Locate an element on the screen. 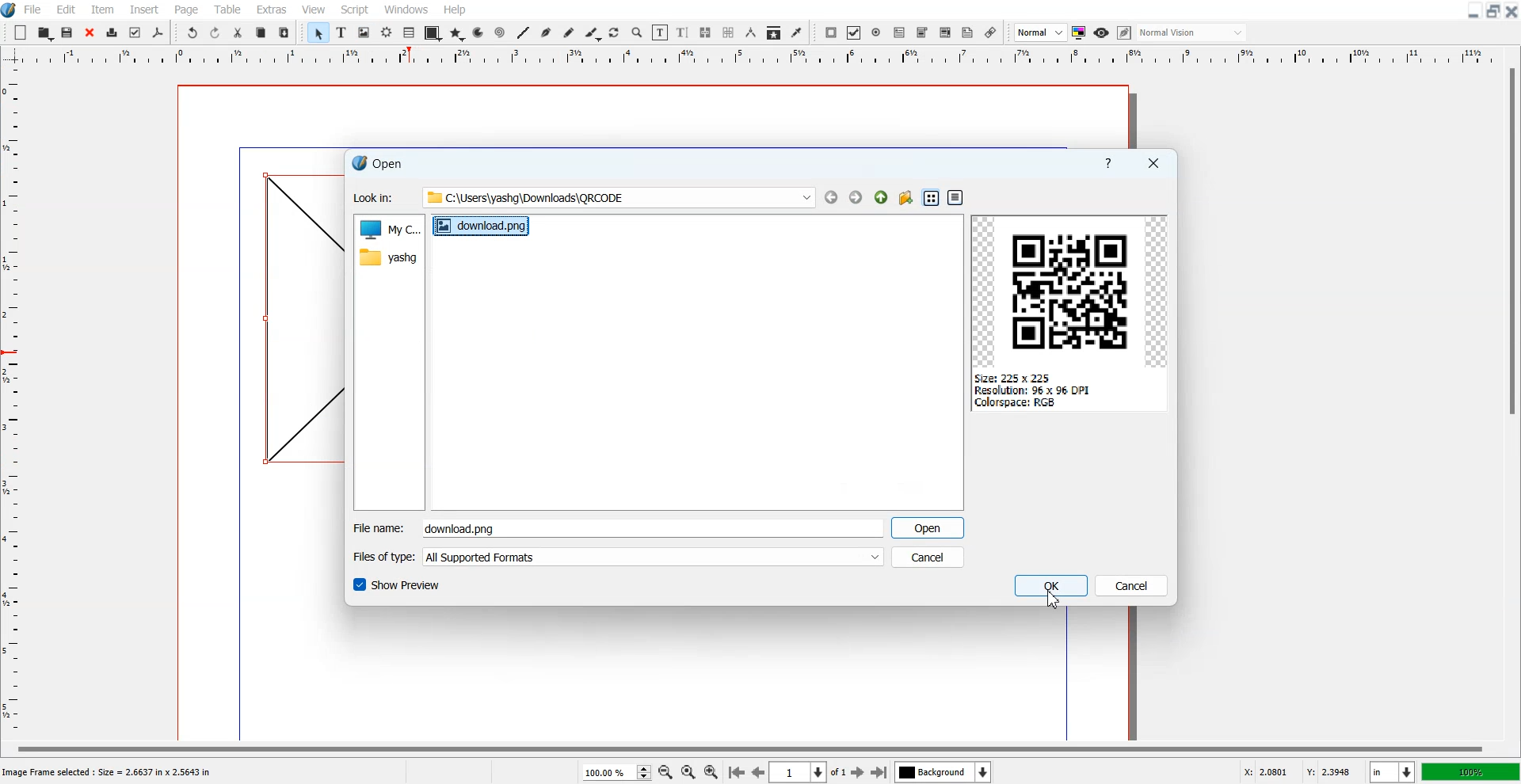 This screenshot has height=784, width=1521. Polygon is located at coordinates (457, 35).